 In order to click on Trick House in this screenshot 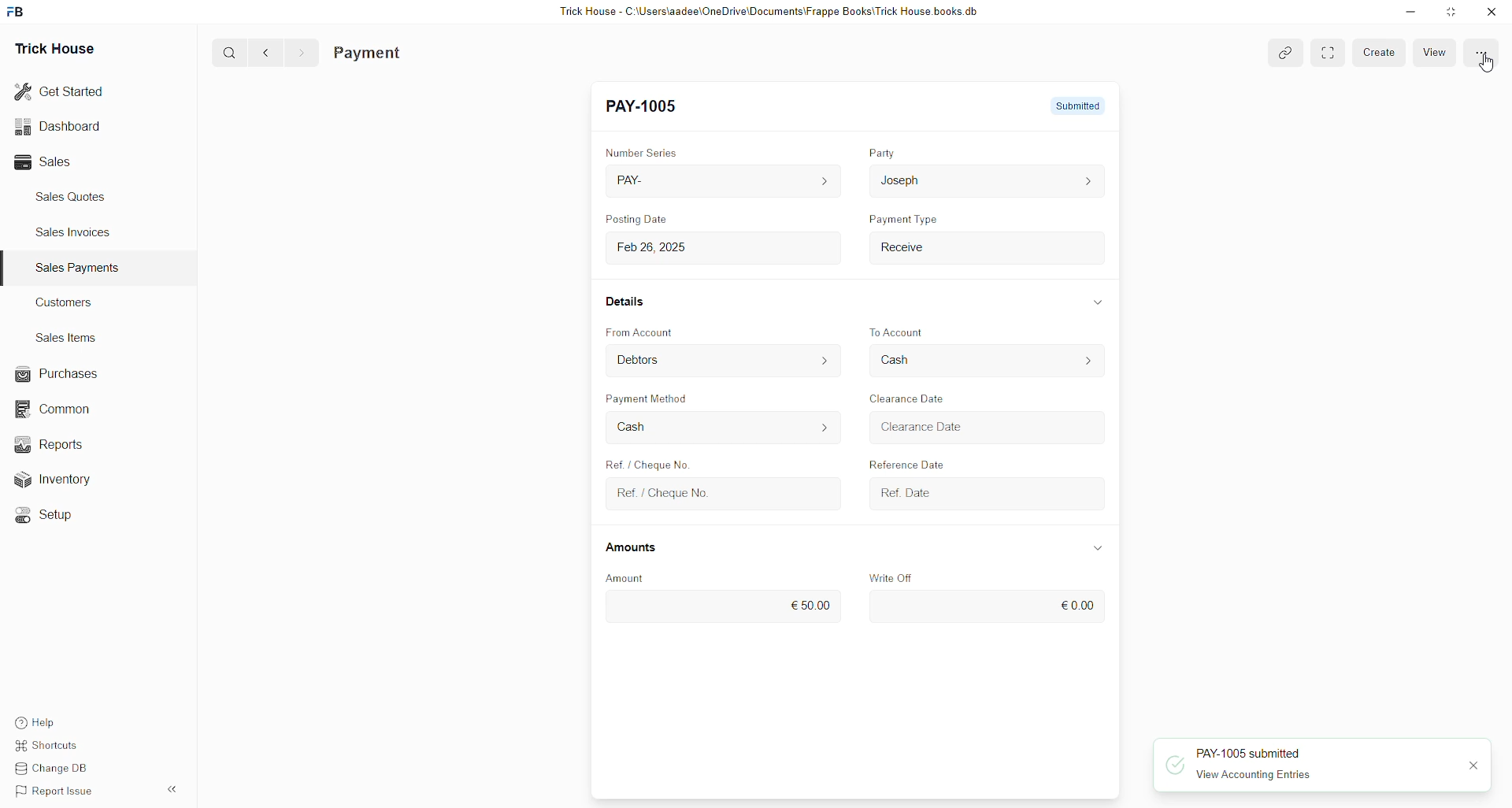, I will do `click(54, 50)`.